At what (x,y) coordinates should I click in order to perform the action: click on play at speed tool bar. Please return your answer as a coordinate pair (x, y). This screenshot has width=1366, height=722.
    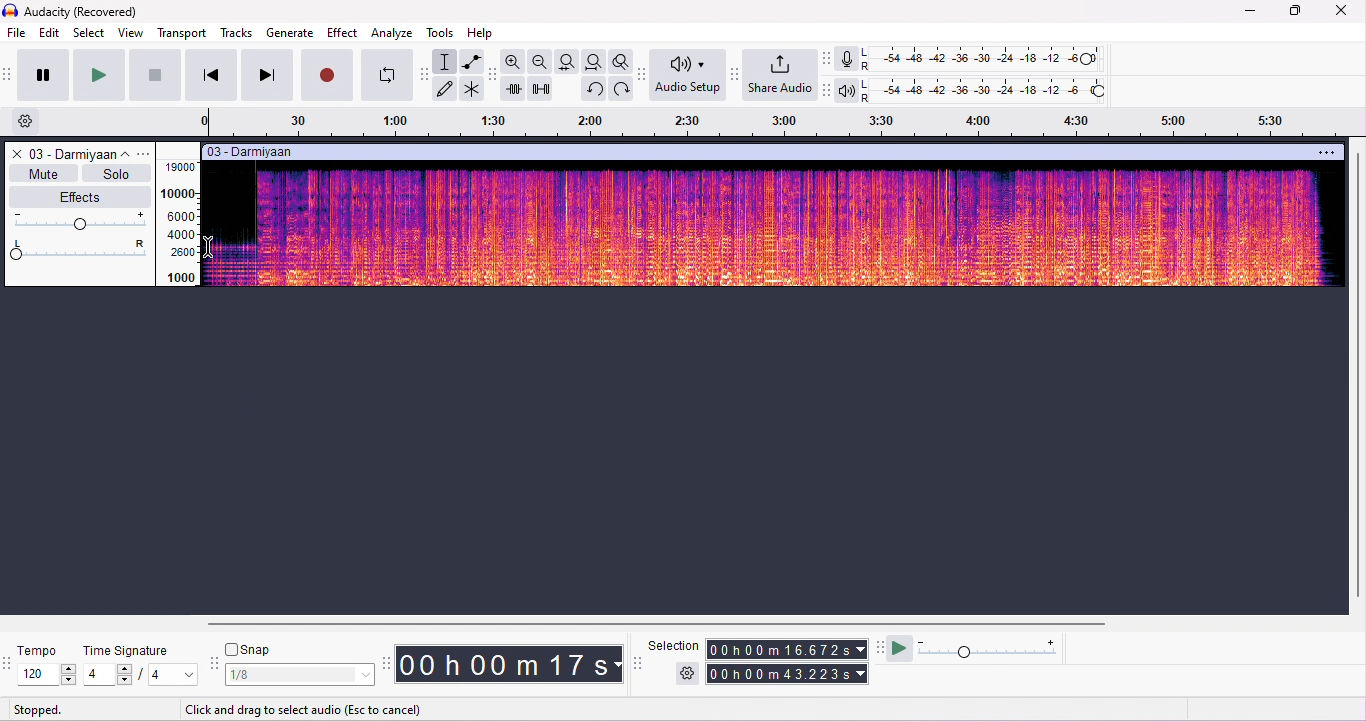
    Looking at the image, I should click on (879, 646).